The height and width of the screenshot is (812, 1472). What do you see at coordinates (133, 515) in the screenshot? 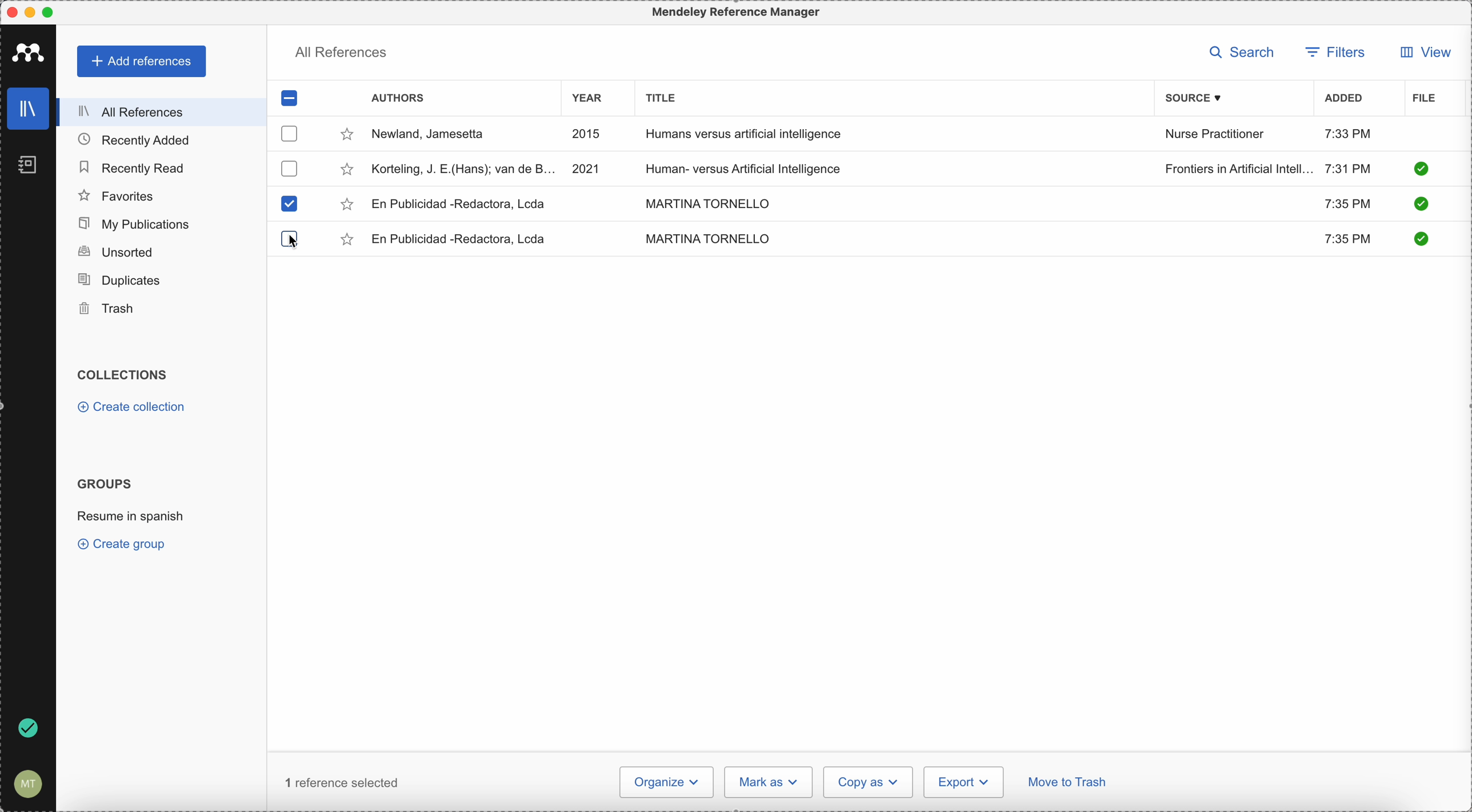
I see `resume in spanish group` at bounding box center [133, 515].